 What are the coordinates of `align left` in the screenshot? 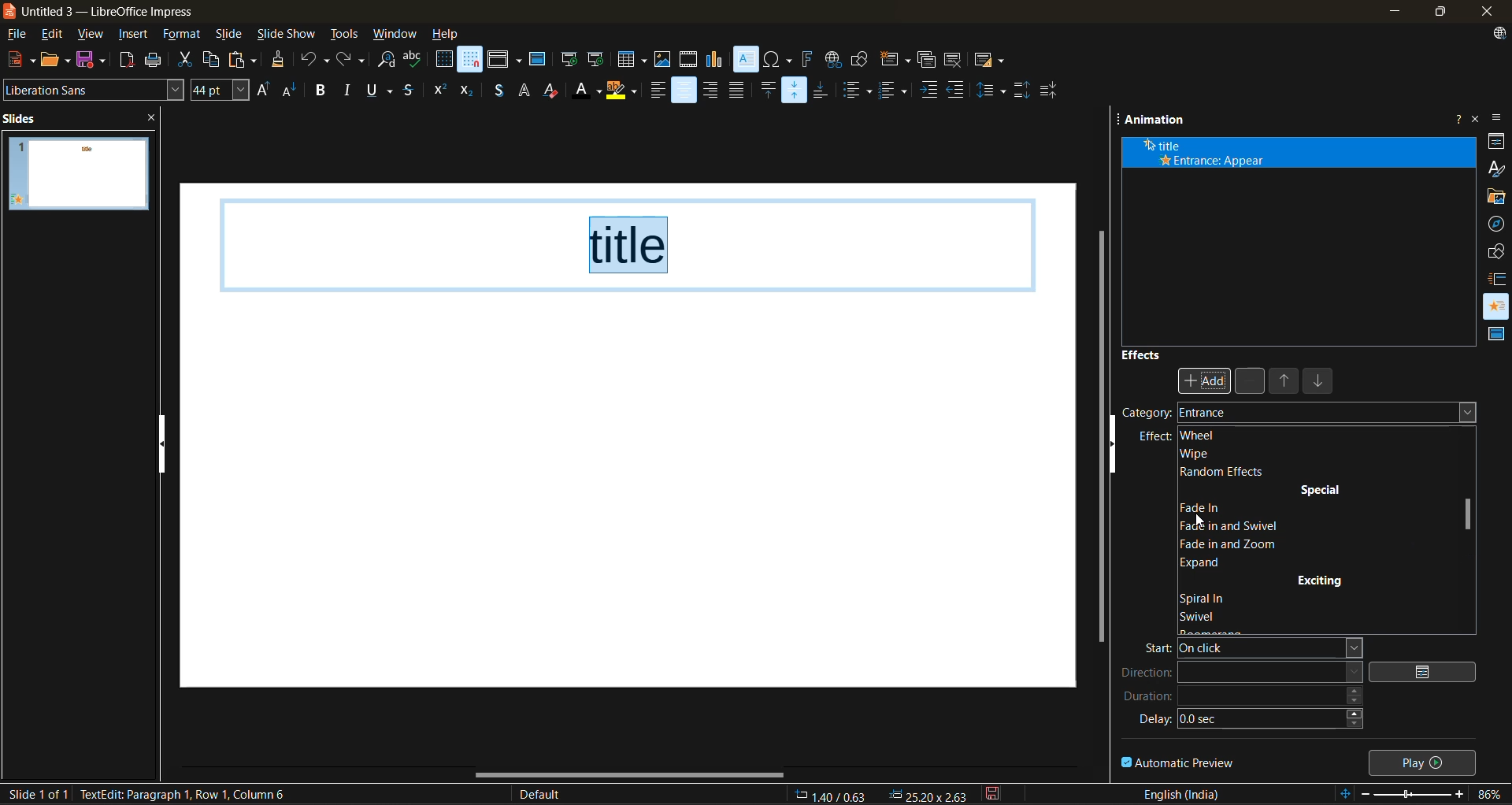 It's located at (655, 93).